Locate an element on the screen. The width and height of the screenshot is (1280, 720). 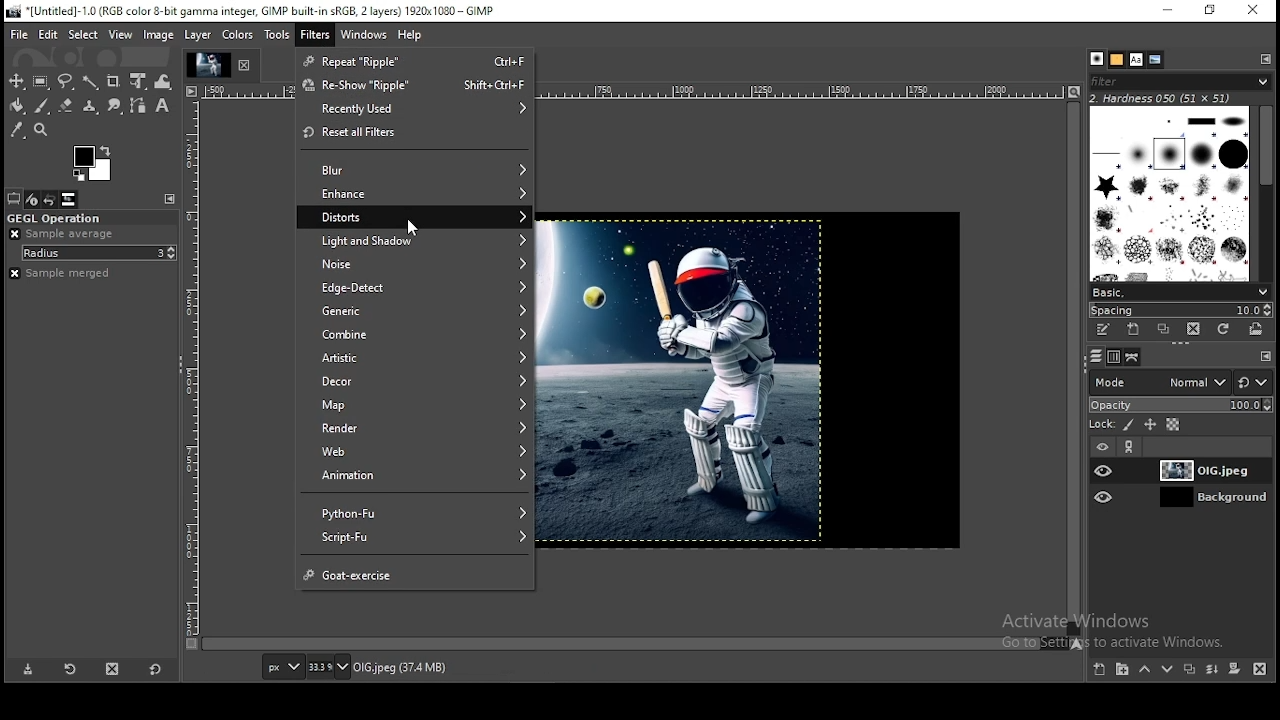
recently used is located at coordinates (418, 109).